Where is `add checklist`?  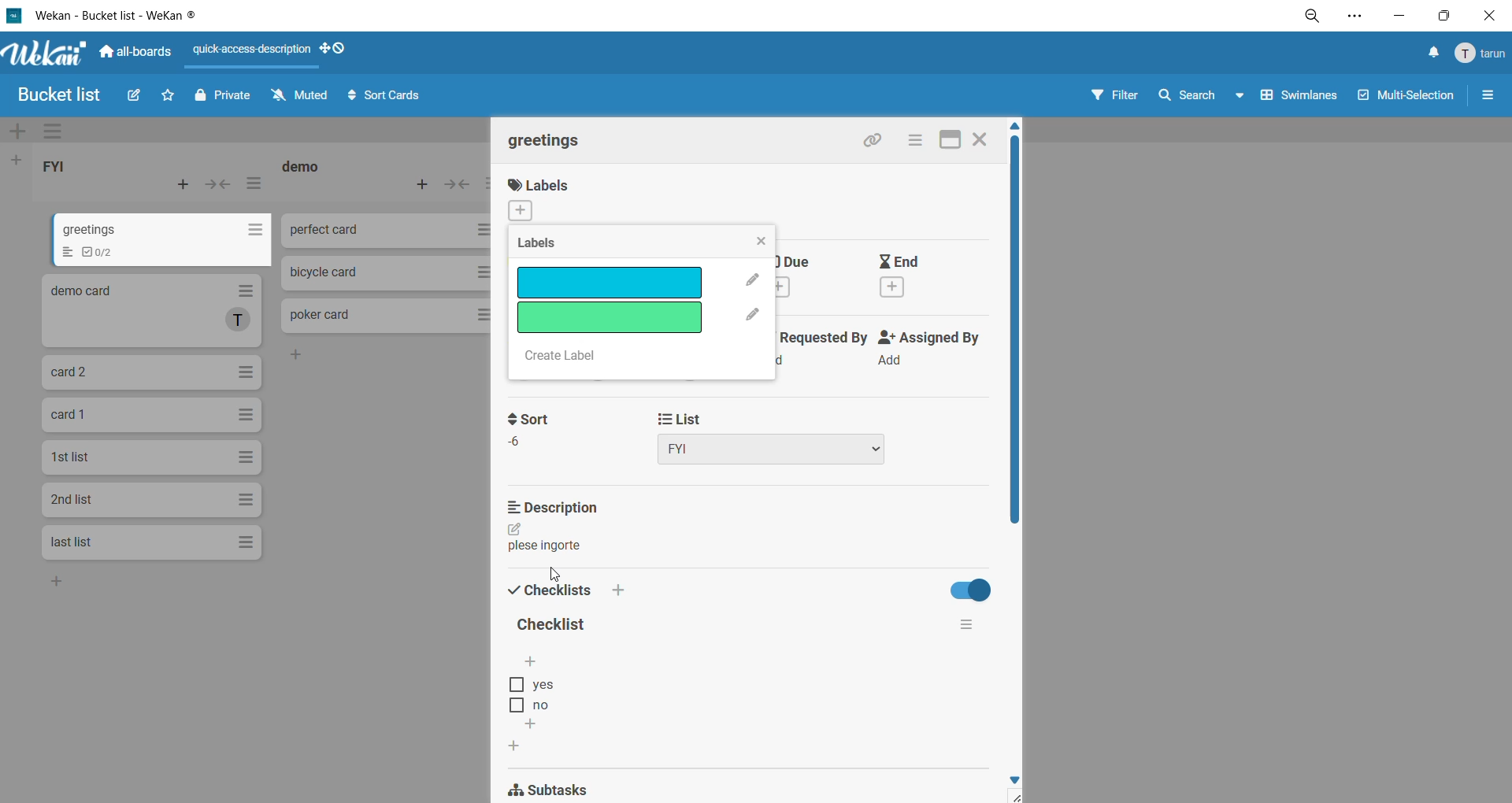 add checklist is located at coordinates (515, 749).